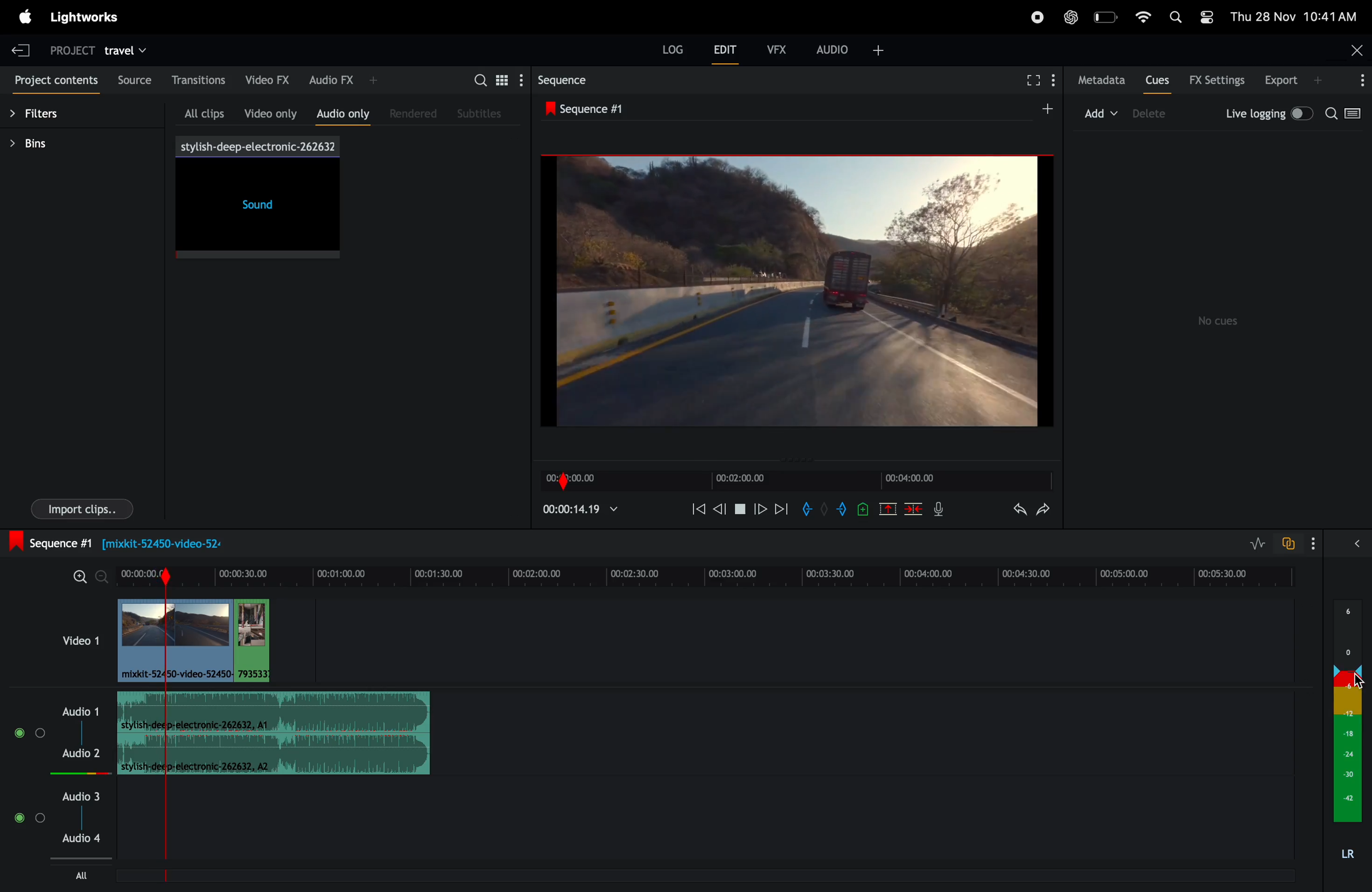  What do you see at coordinates (1297, 542) in the screenshot?
I see `toggle to auto track sync` at bounding box center [1297, 542].